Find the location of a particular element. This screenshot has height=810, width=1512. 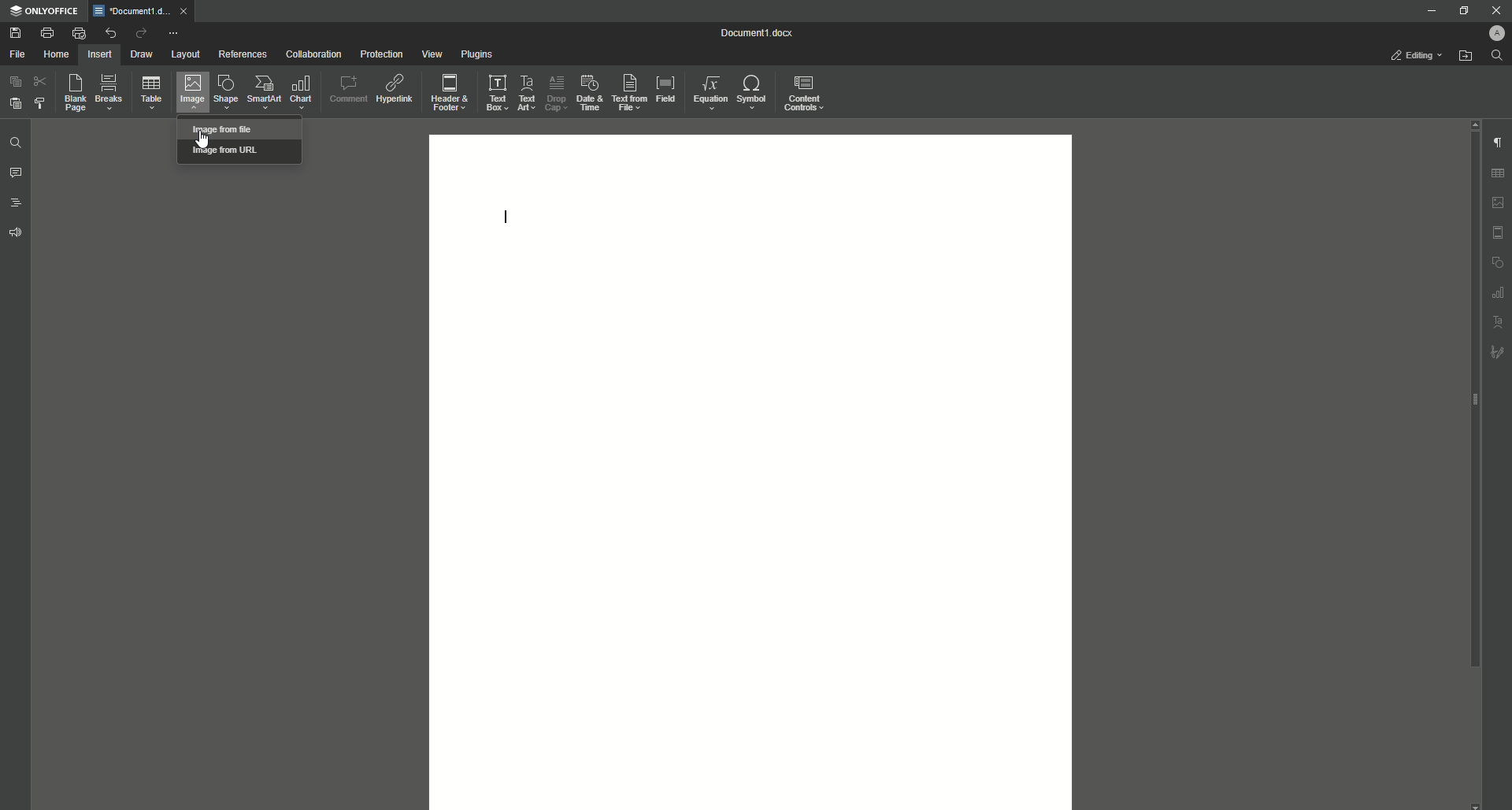

Undo is located at coordinates (110, 33).